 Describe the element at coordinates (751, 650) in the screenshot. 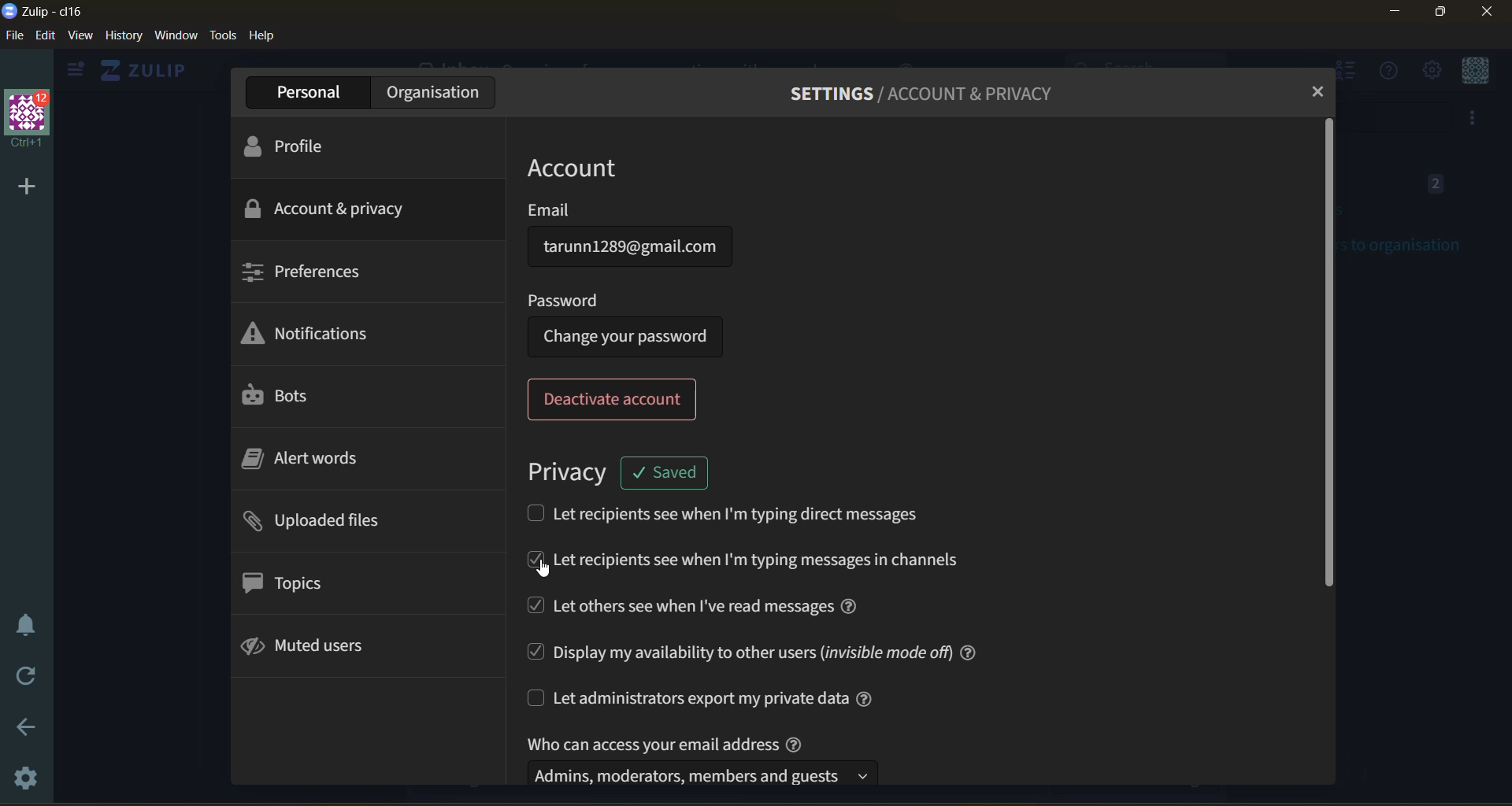

I see `display my availability to other users (invisible mode off)` at that location.